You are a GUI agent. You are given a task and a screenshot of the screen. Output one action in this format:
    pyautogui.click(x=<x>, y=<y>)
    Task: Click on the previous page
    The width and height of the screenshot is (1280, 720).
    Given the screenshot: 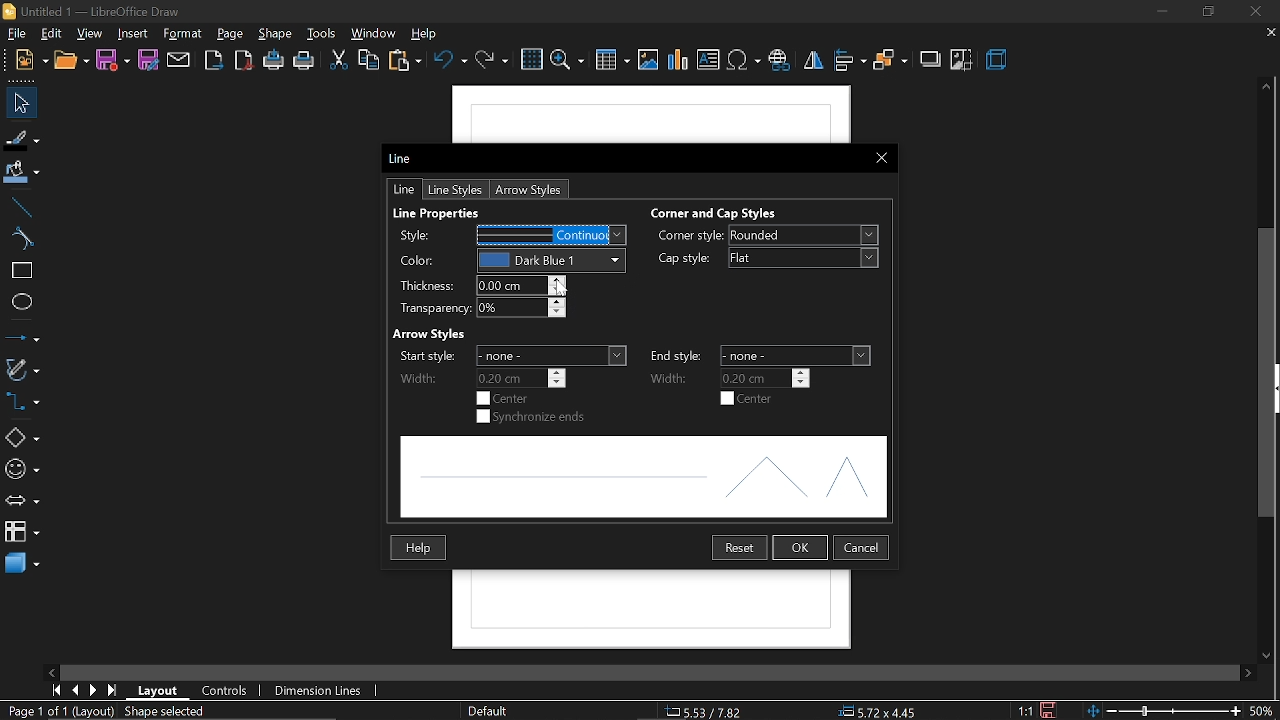 What is the action you would take?
    pyautogui.click(x=75, y=690)
    